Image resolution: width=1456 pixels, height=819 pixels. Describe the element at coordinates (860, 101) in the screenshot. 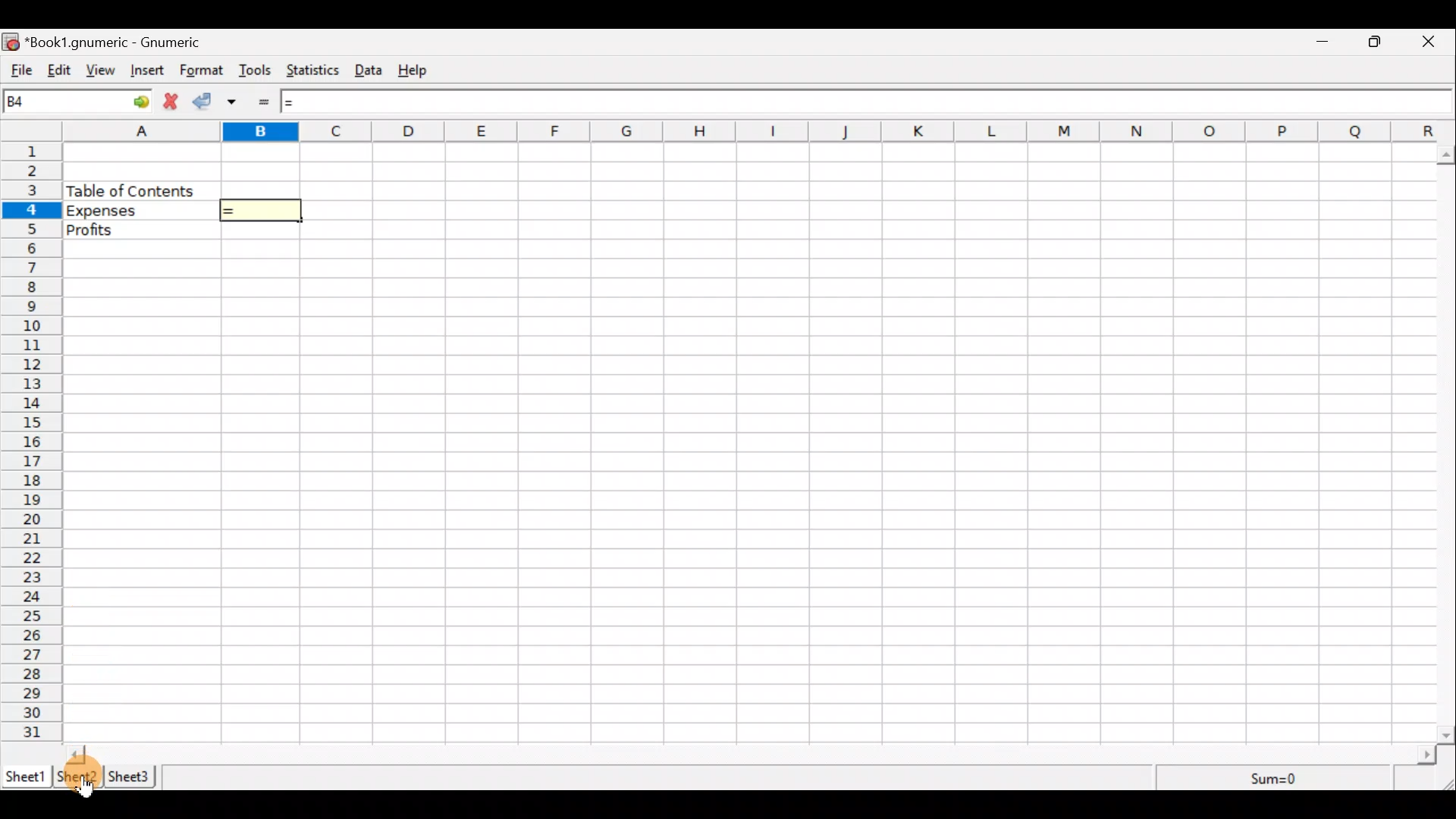

I see `Formula bar` at that location.